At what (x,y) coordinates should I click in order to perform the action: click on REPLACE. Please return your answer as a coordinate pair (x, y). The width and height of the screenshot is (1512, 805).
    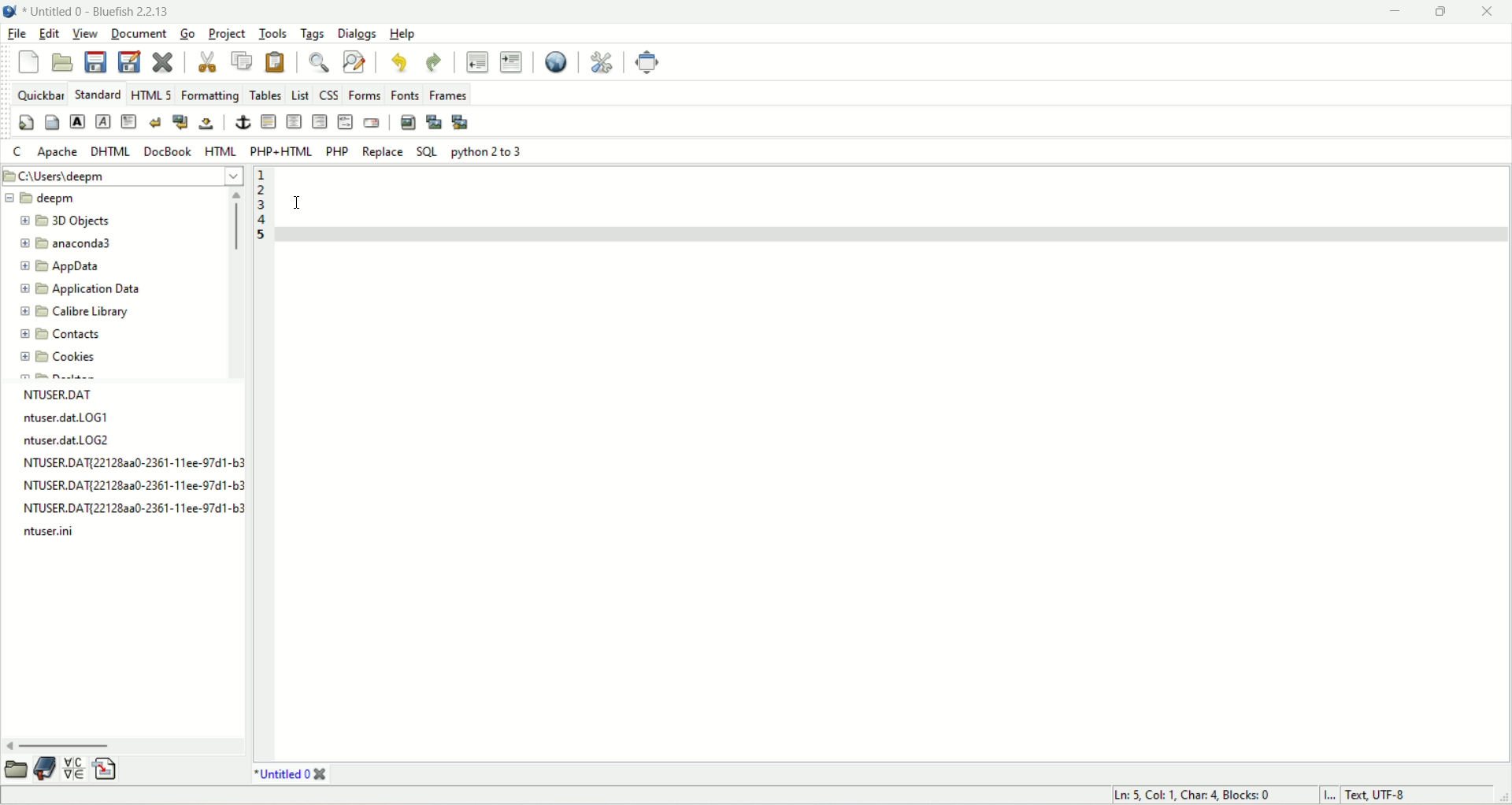
    Looking at the image, I should click on (381, 150).